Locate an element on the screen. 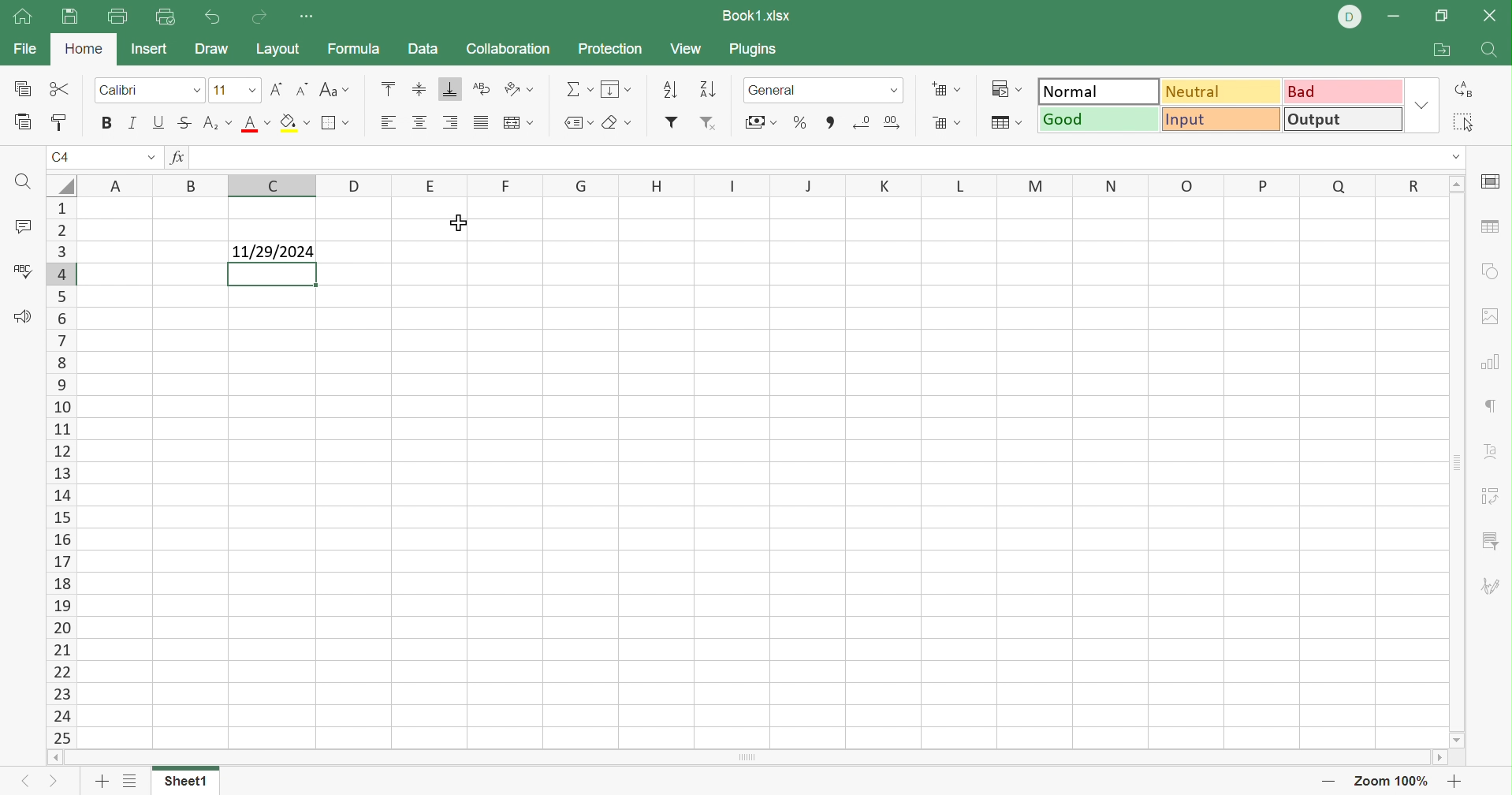 The height and width of the screenshot is (795, 1512). Italic is located at coordinates (132, 121).